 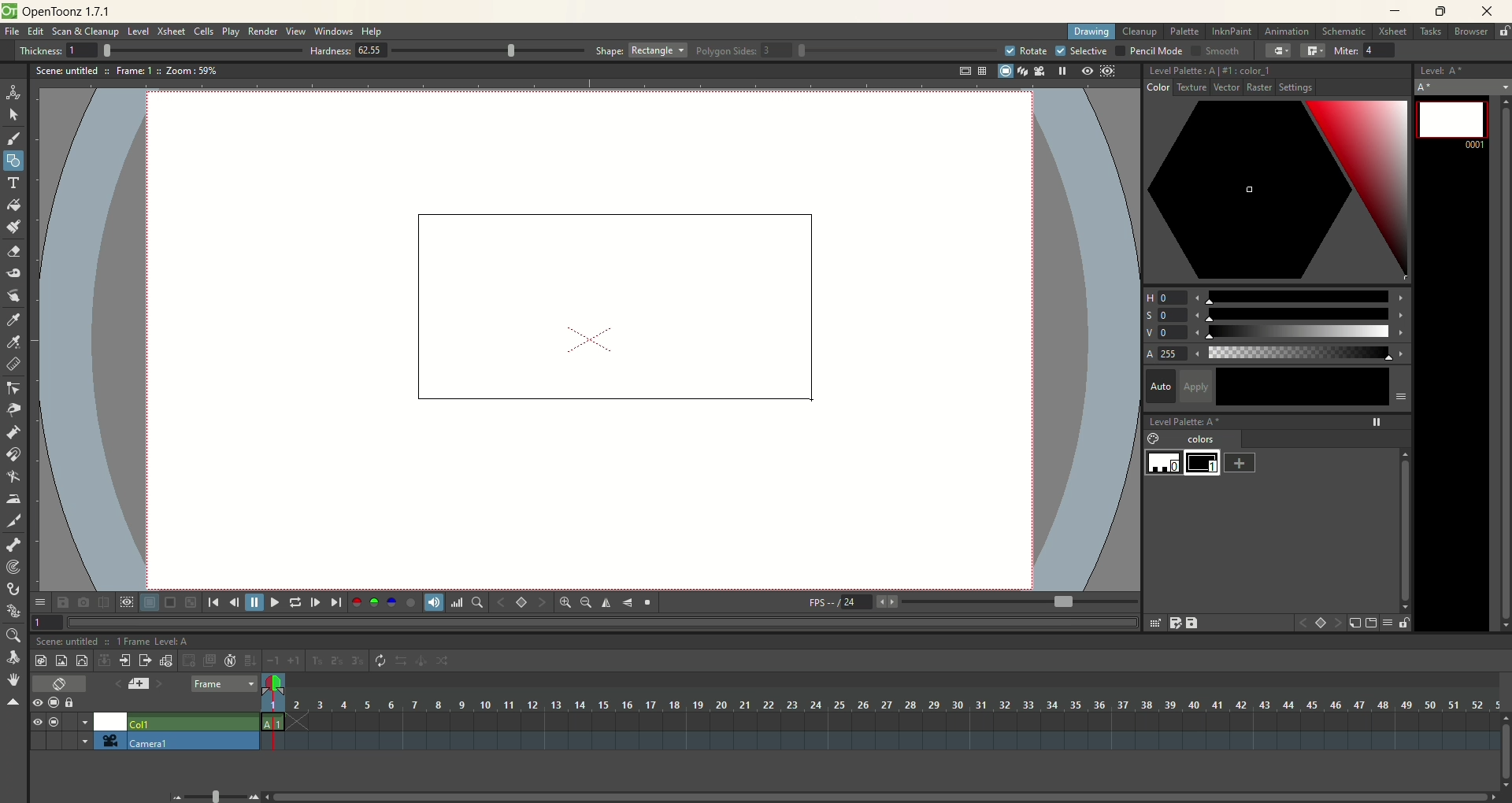 What do you see at coordinates (1214, 52) in the screenshot?
I see `smooth` at bounding box center [1214, 52].